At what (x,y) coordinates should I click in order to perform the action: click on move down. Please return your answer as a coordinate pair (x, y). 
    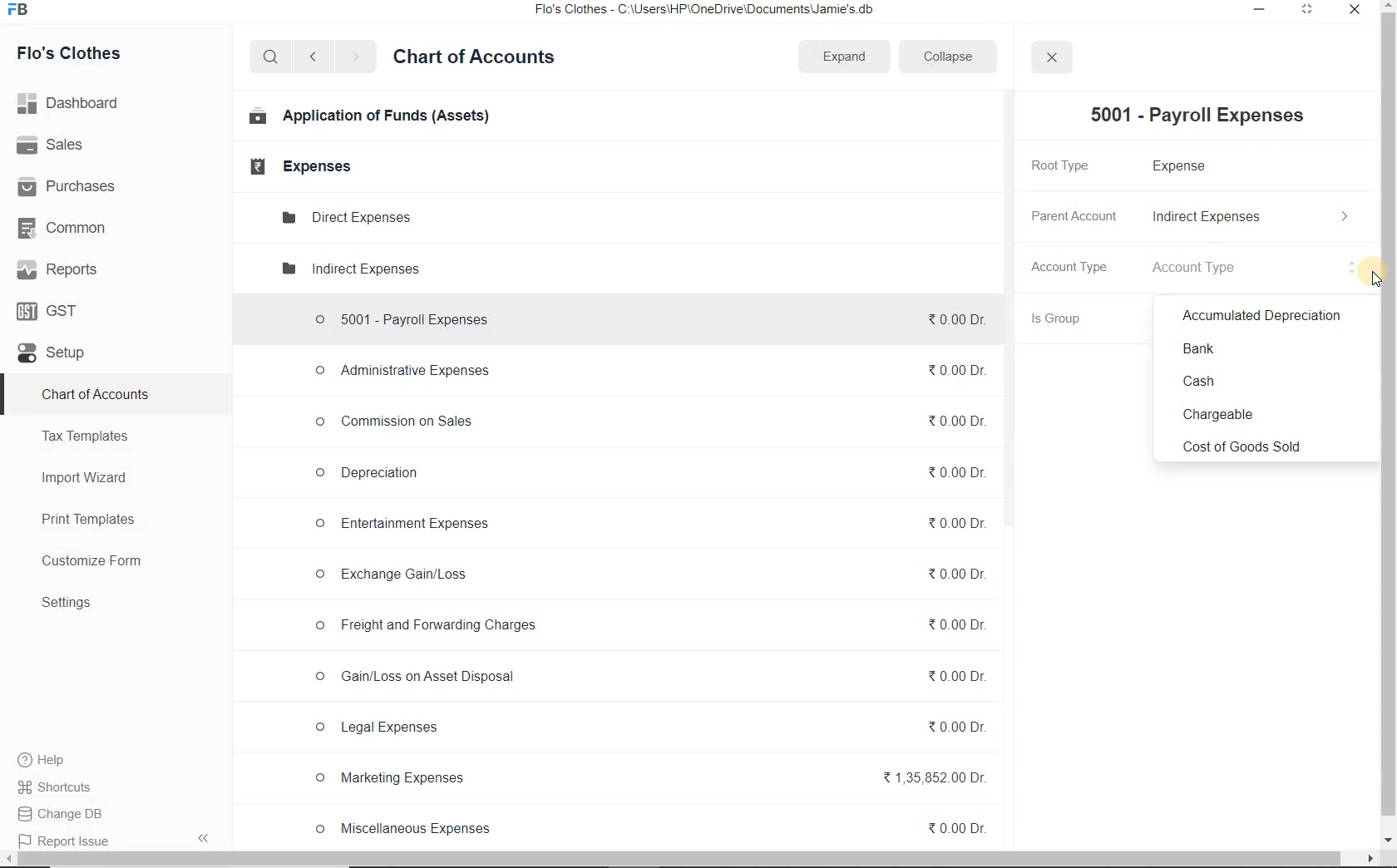
    Looking at the image, I should click on (1389, 841).